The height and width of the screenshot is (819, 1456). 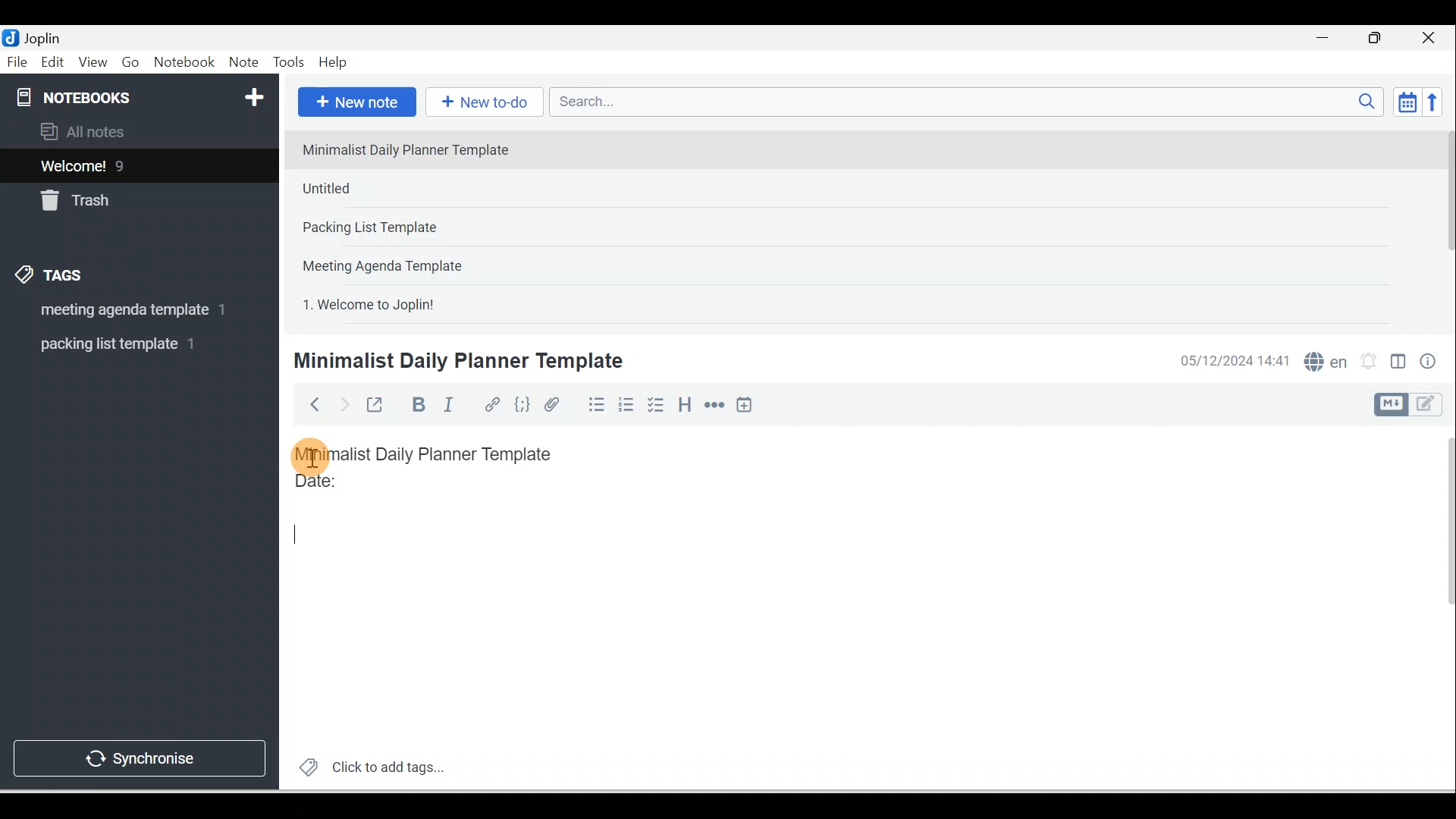 What do you see at coordinates (1232, 361) in the screenshot?
I see `Date & time` at bounding box center [1232, 361].